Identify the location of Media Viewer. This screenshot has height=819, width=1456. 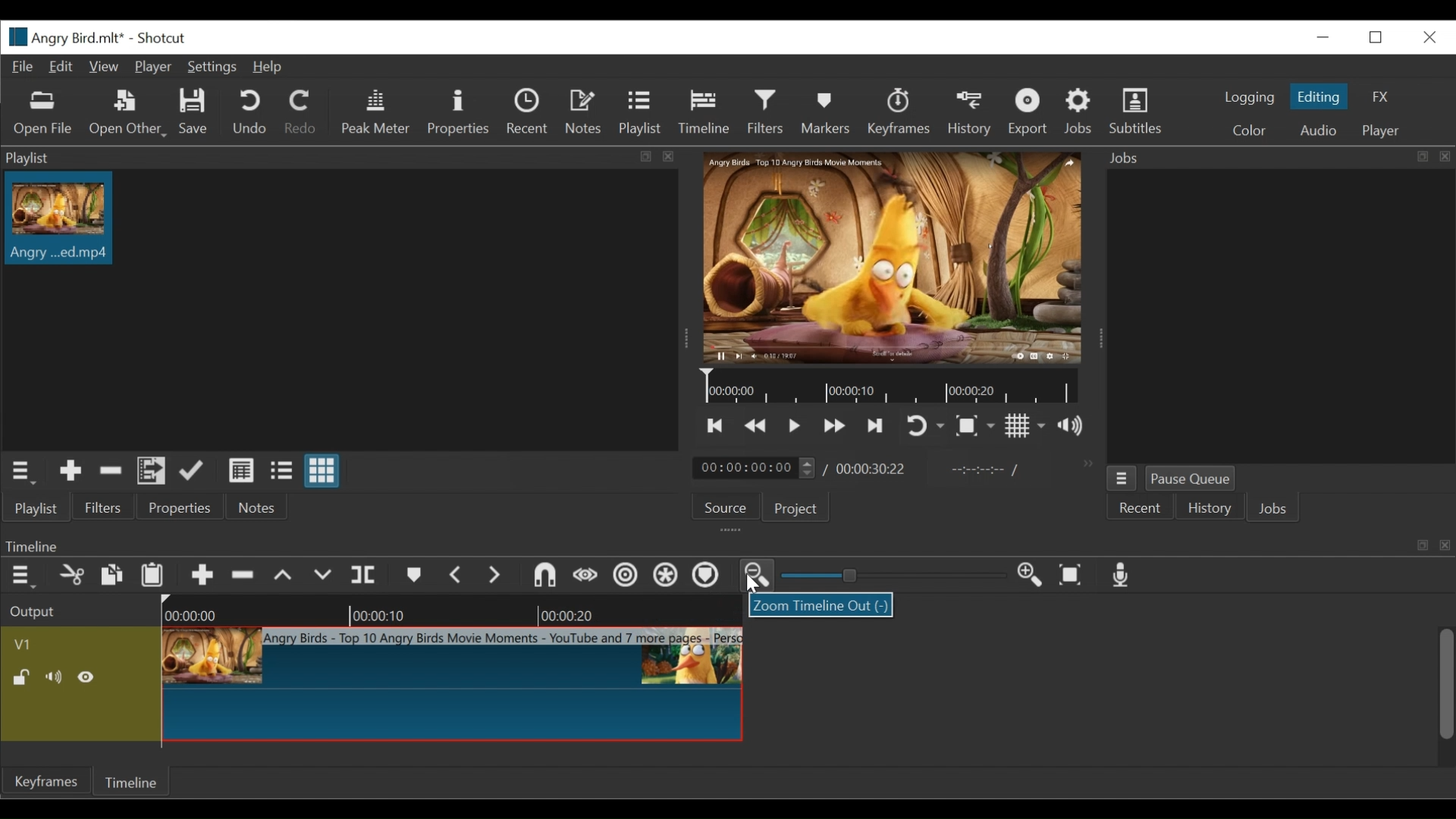
(891, 257).